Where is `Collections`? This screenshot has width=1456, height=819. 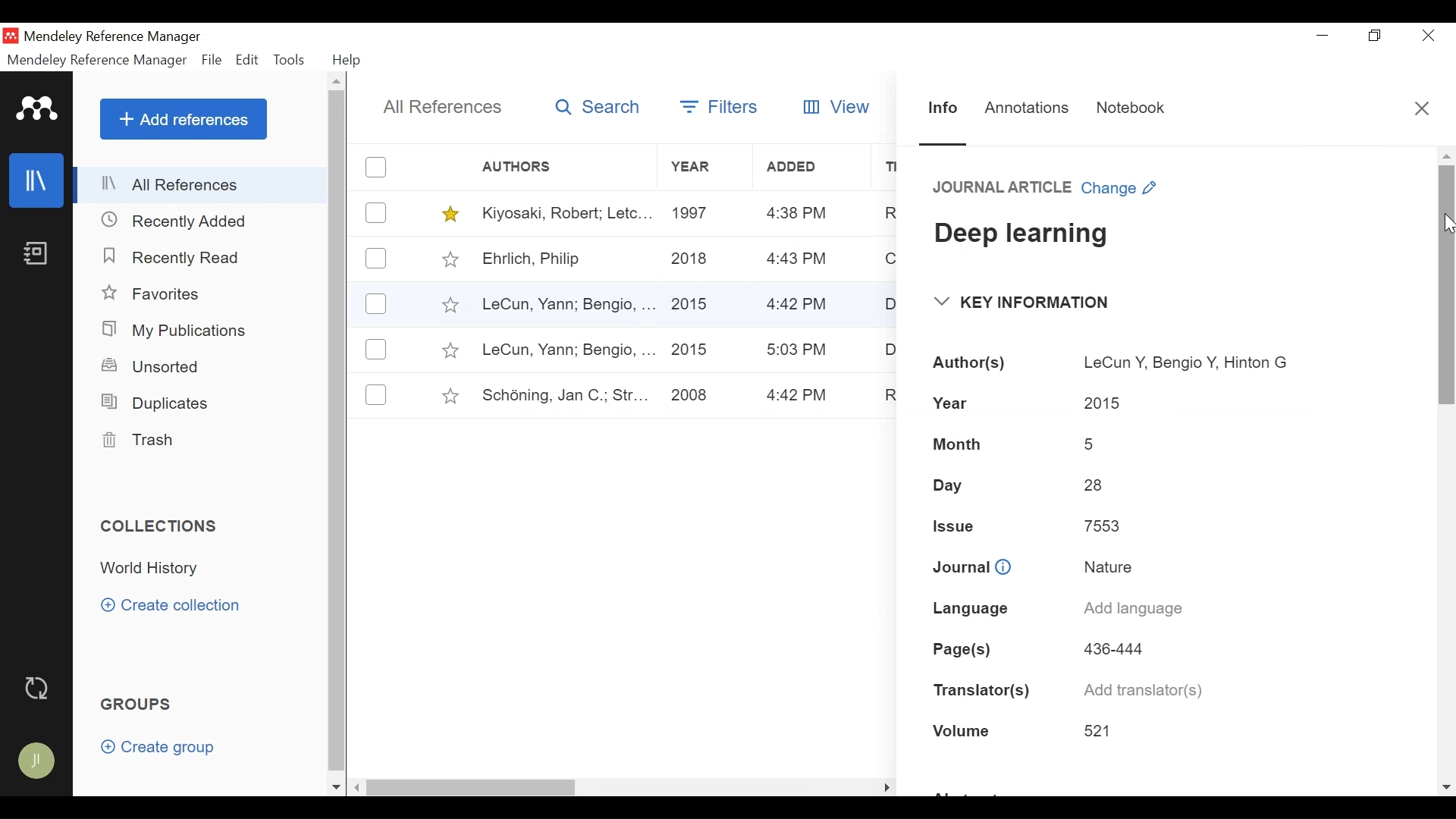
Collections is located at coordinates (165, 526).